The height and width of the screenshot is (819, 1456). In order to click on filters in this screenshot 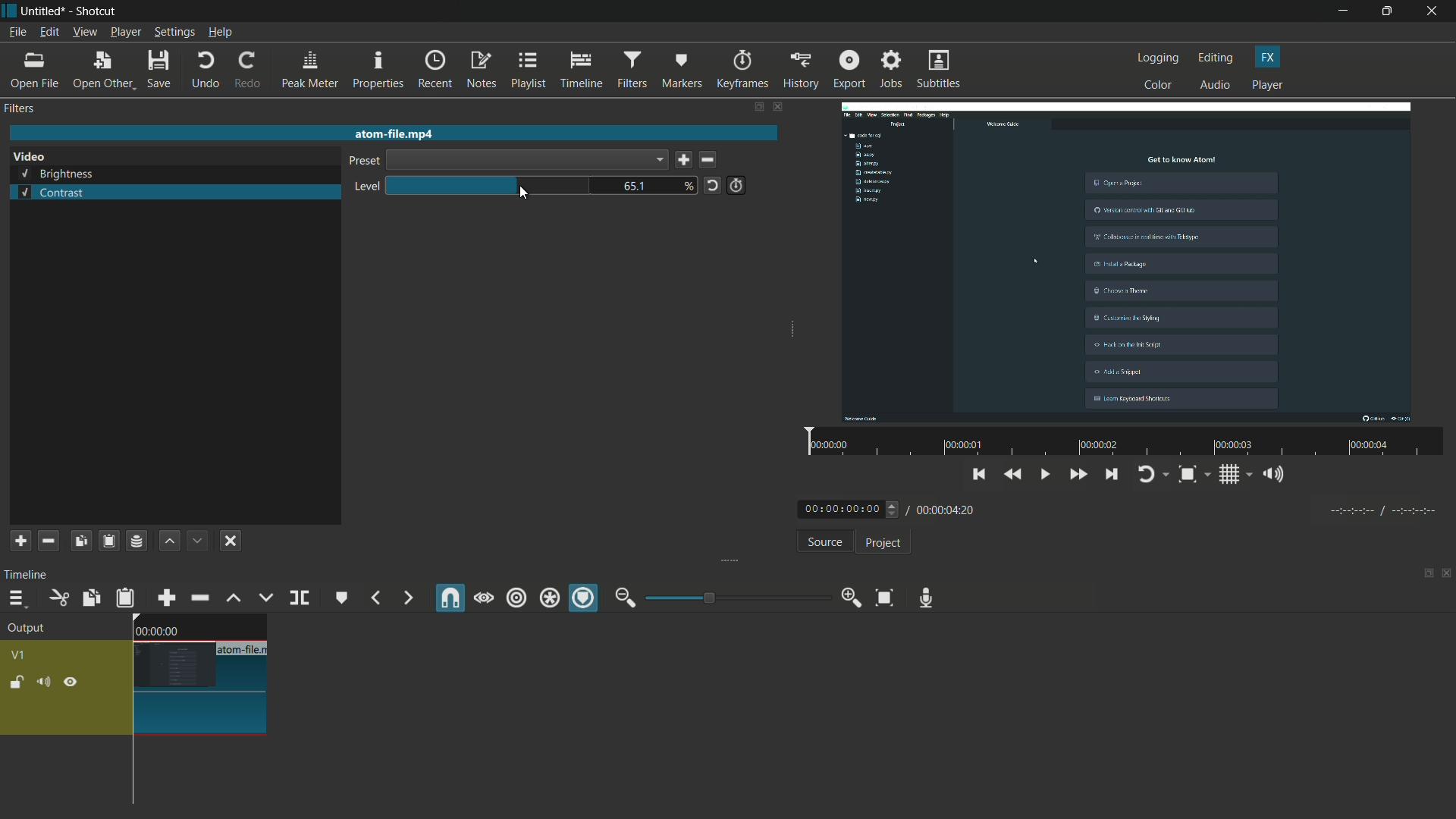, I will do `click(631, 70)`.